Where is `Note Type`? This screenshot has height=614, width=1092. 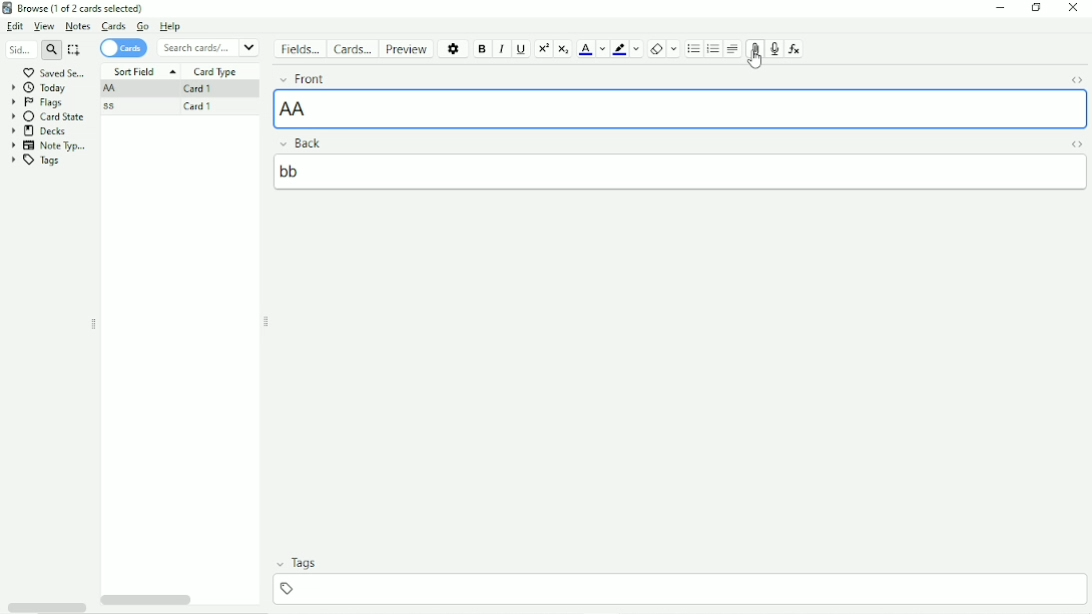
Note Type is located at coordinates (47, 146).